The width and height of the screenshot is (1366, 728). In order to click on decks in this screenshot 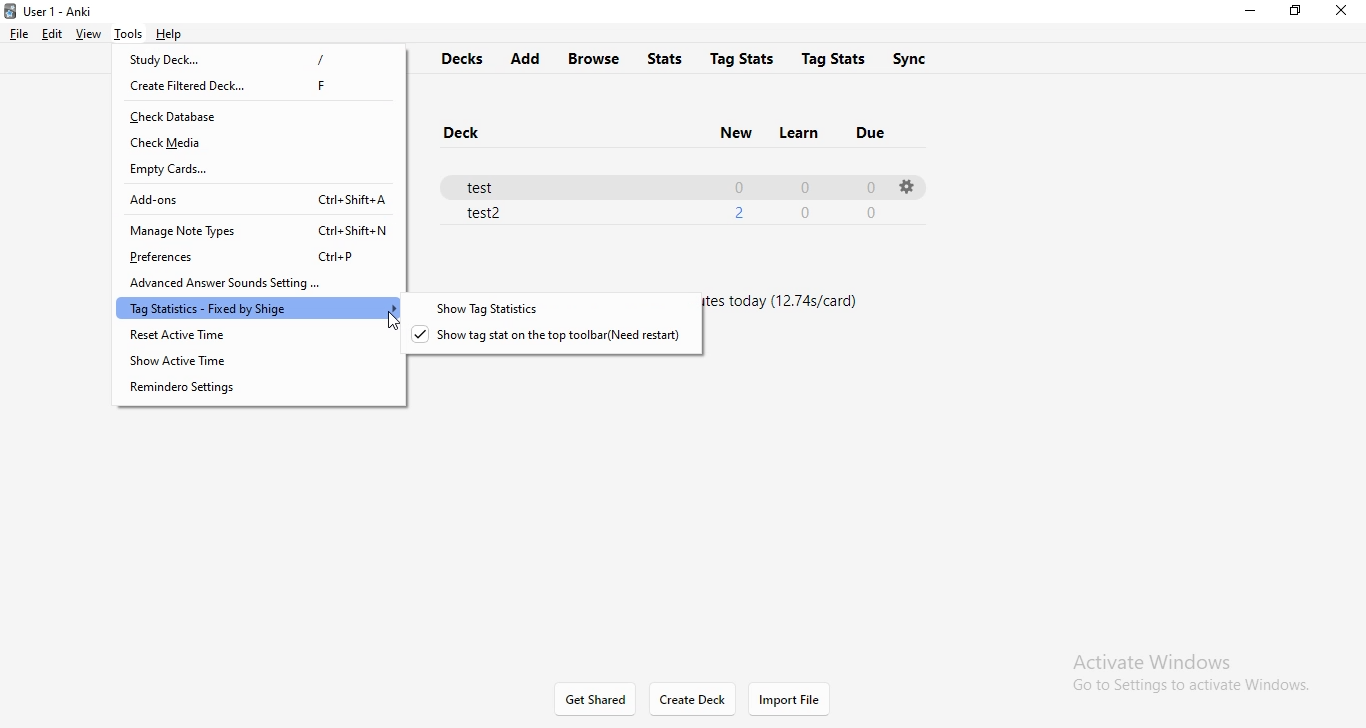, I will do `click(465, 60)`.